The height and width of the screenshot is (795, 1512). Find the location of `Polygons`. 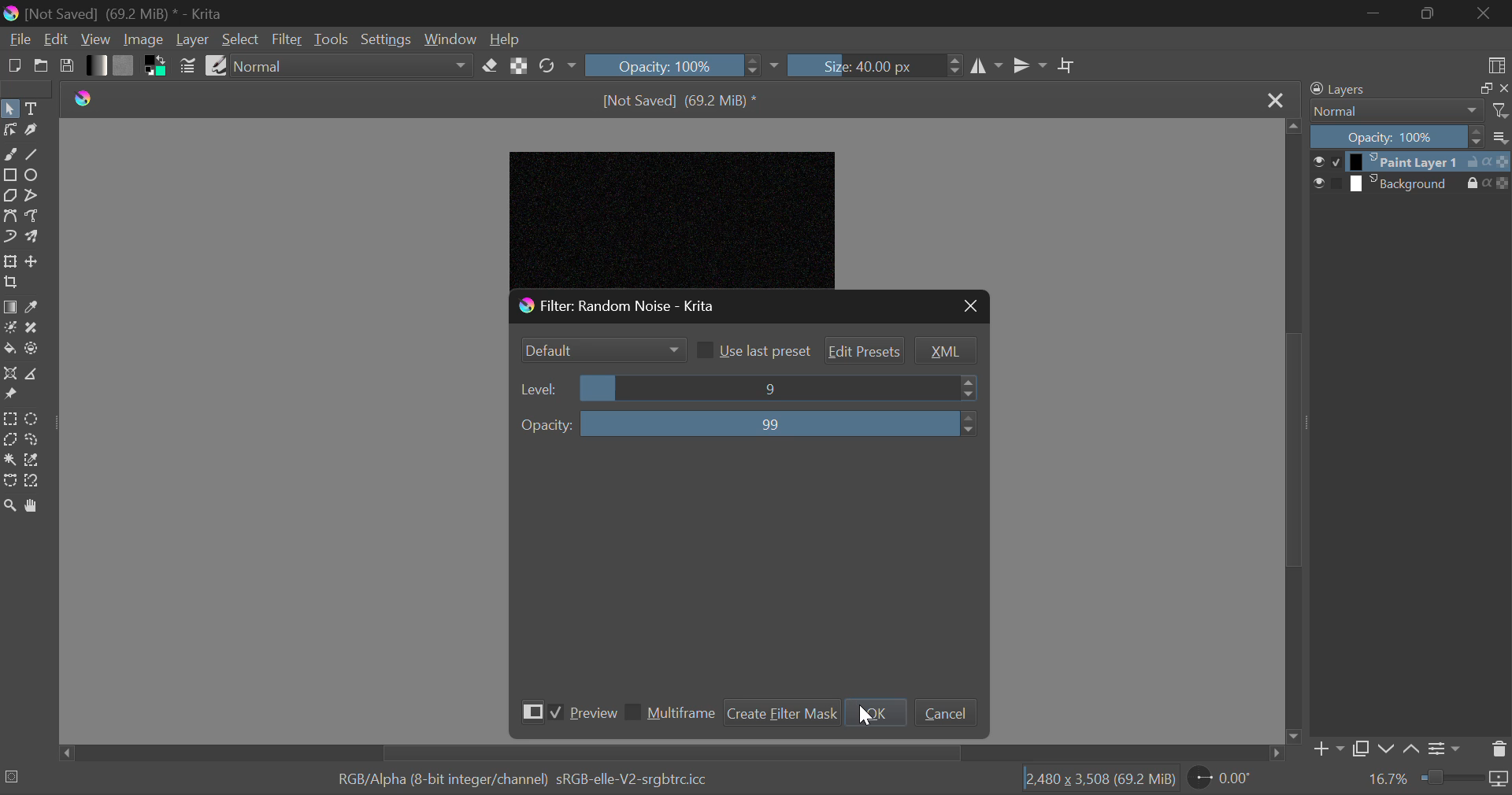

Polygons is located at coordinates (10, 197).